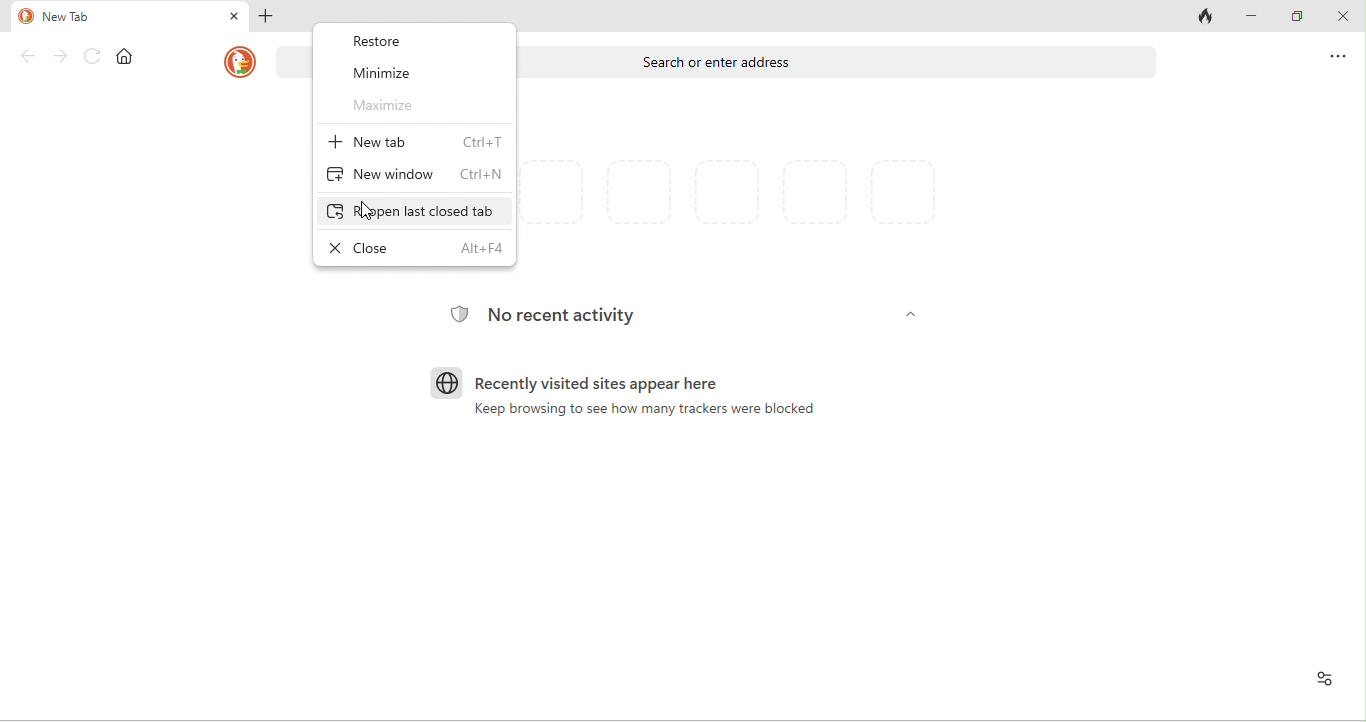  Describe the element at coordinates (411, 212) in the screenshot. I see `reopen closed tab` at that location.